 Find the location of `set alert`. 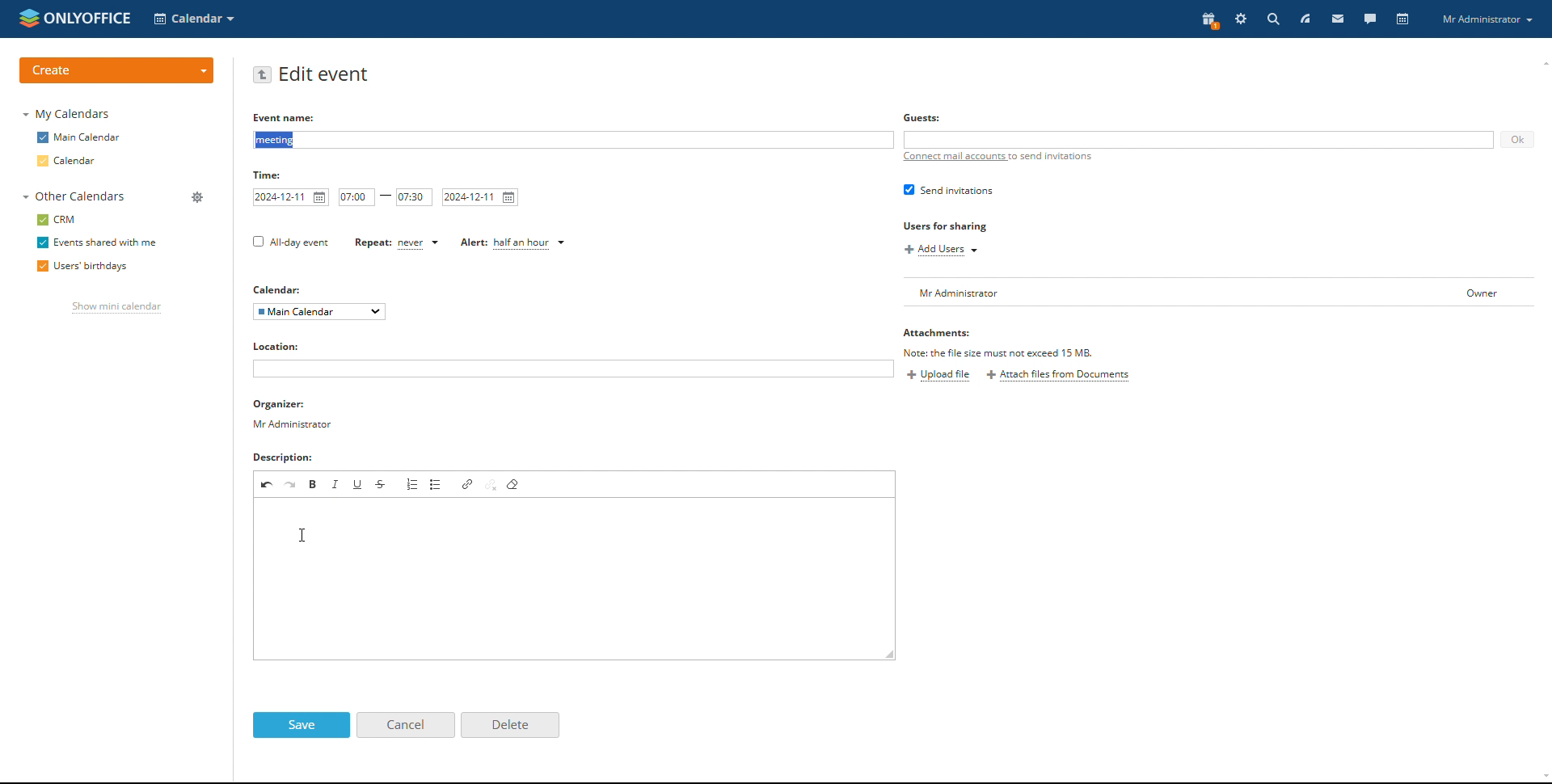

set alert is located at coordinates (532, 243).